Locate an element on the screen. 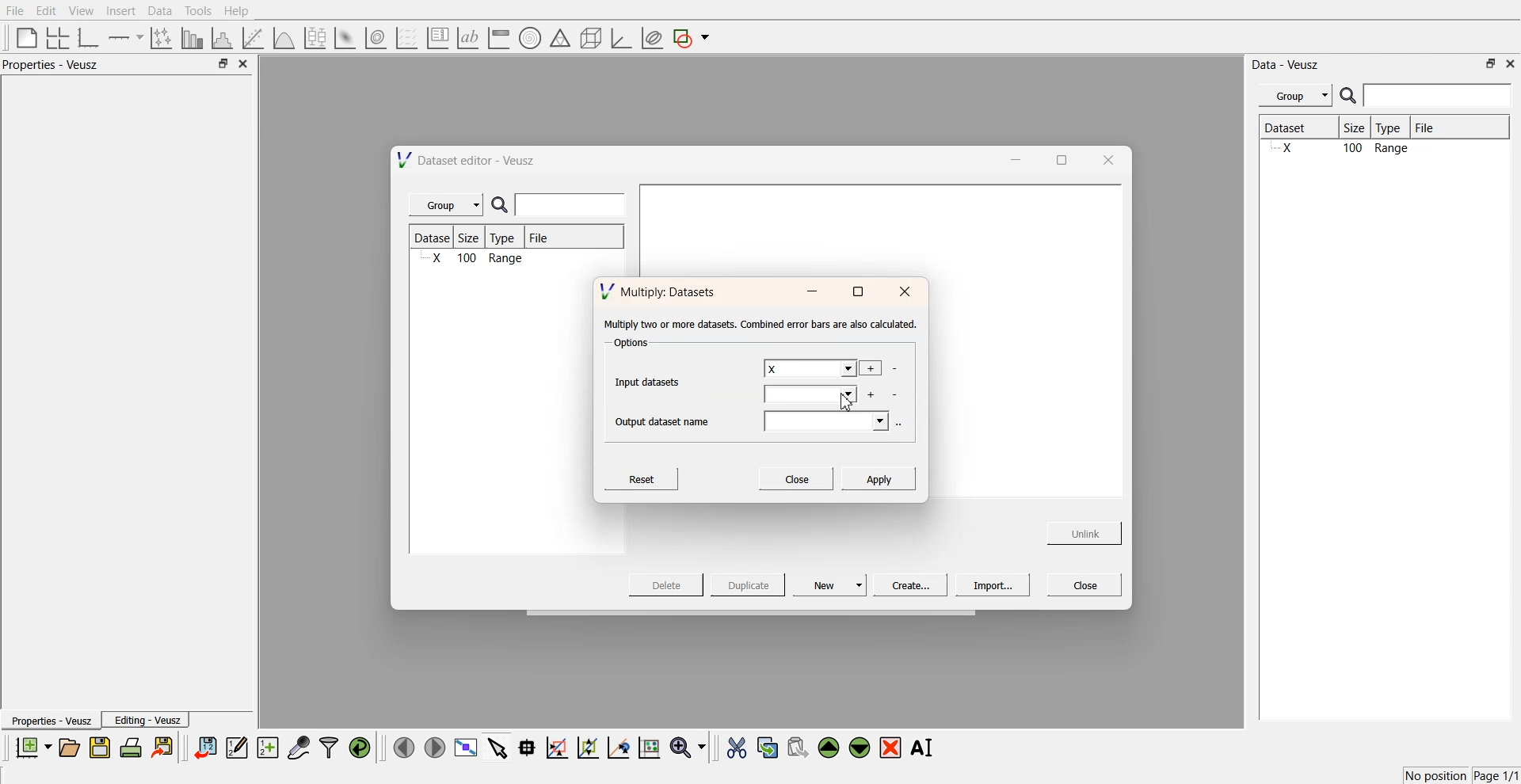 The width and height of the screenshot is (1521, 784). add an axis is located at coordinates (127, 37).